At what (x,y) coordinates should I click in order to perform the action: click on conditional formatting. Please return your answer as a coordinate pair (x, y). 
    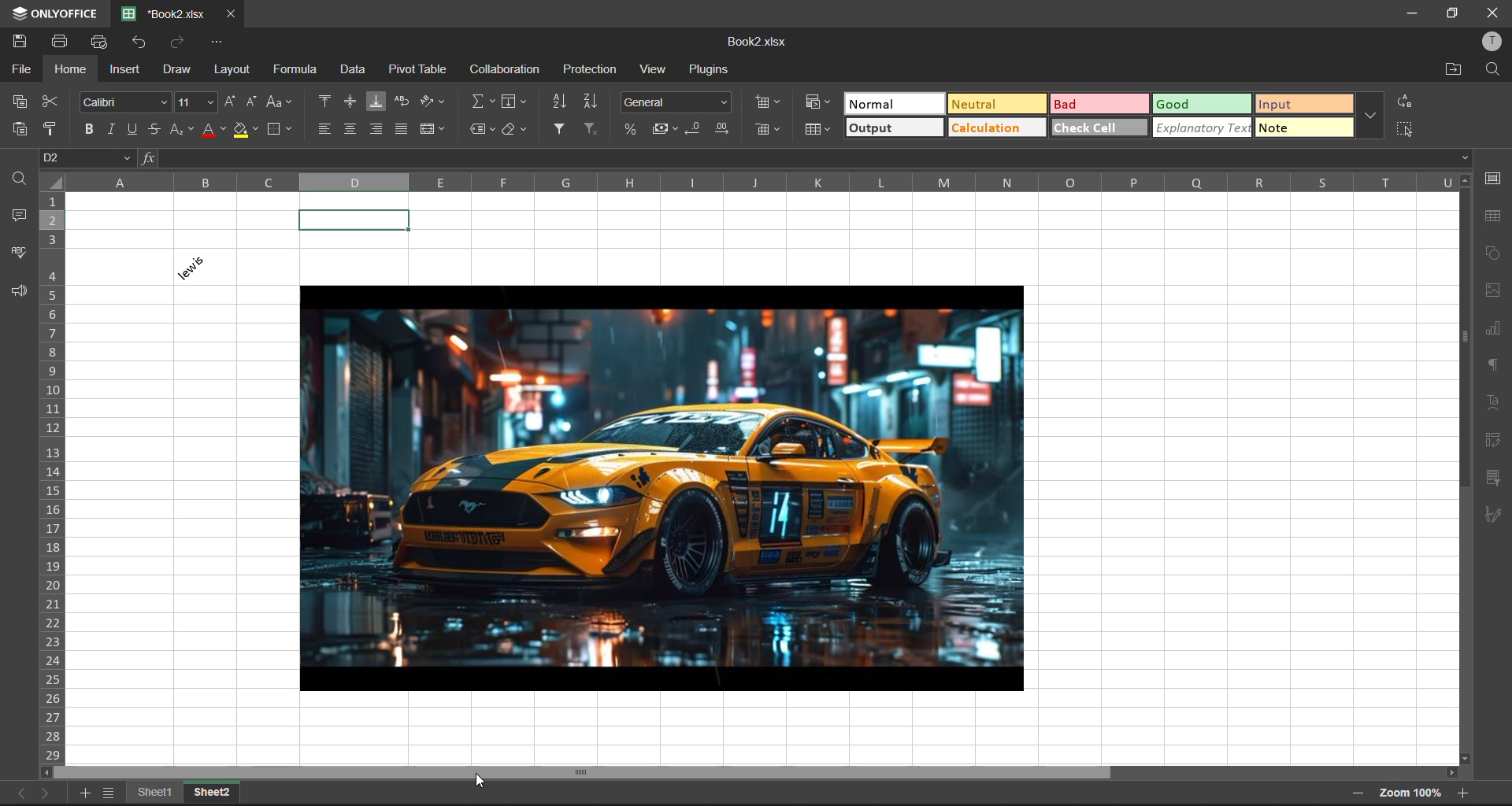
    Looking at the image, I should click on (819, 103).